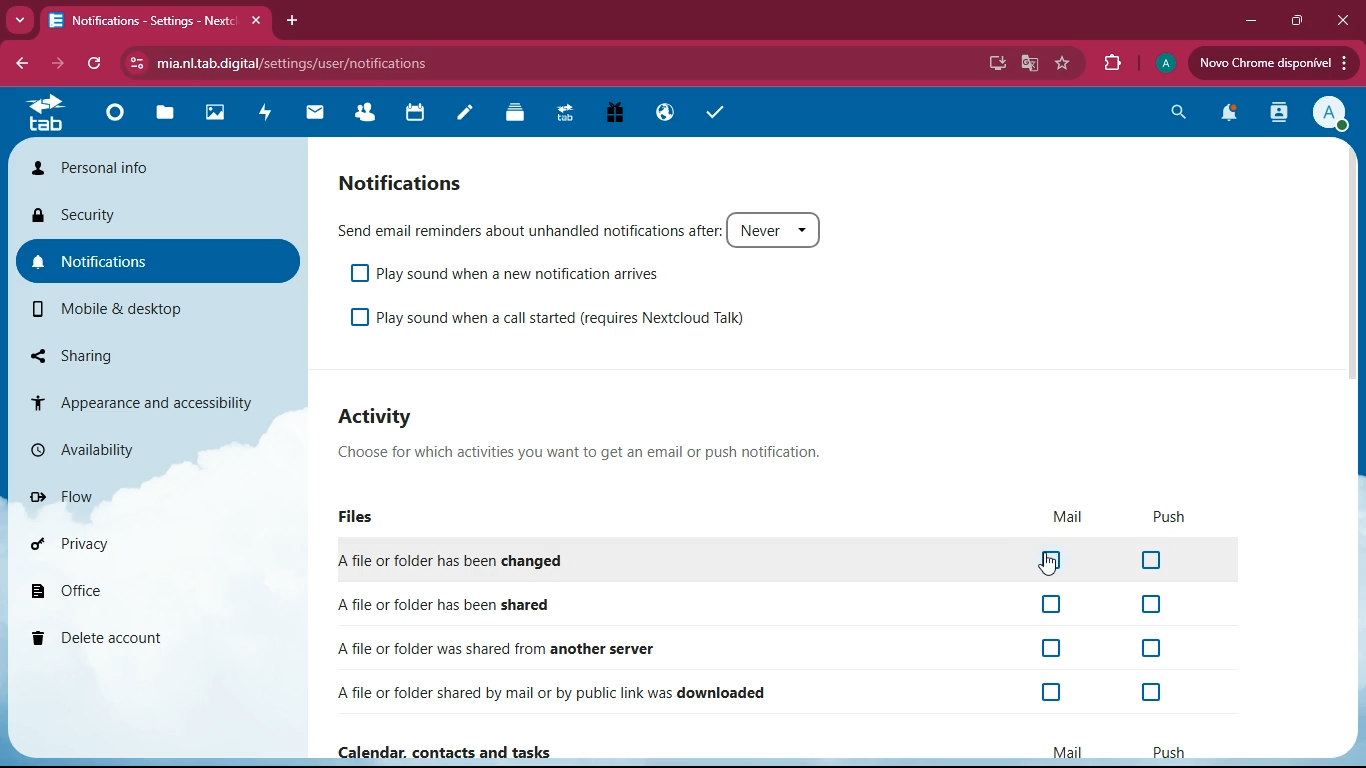  I want to click on delete, so click(105, 637).